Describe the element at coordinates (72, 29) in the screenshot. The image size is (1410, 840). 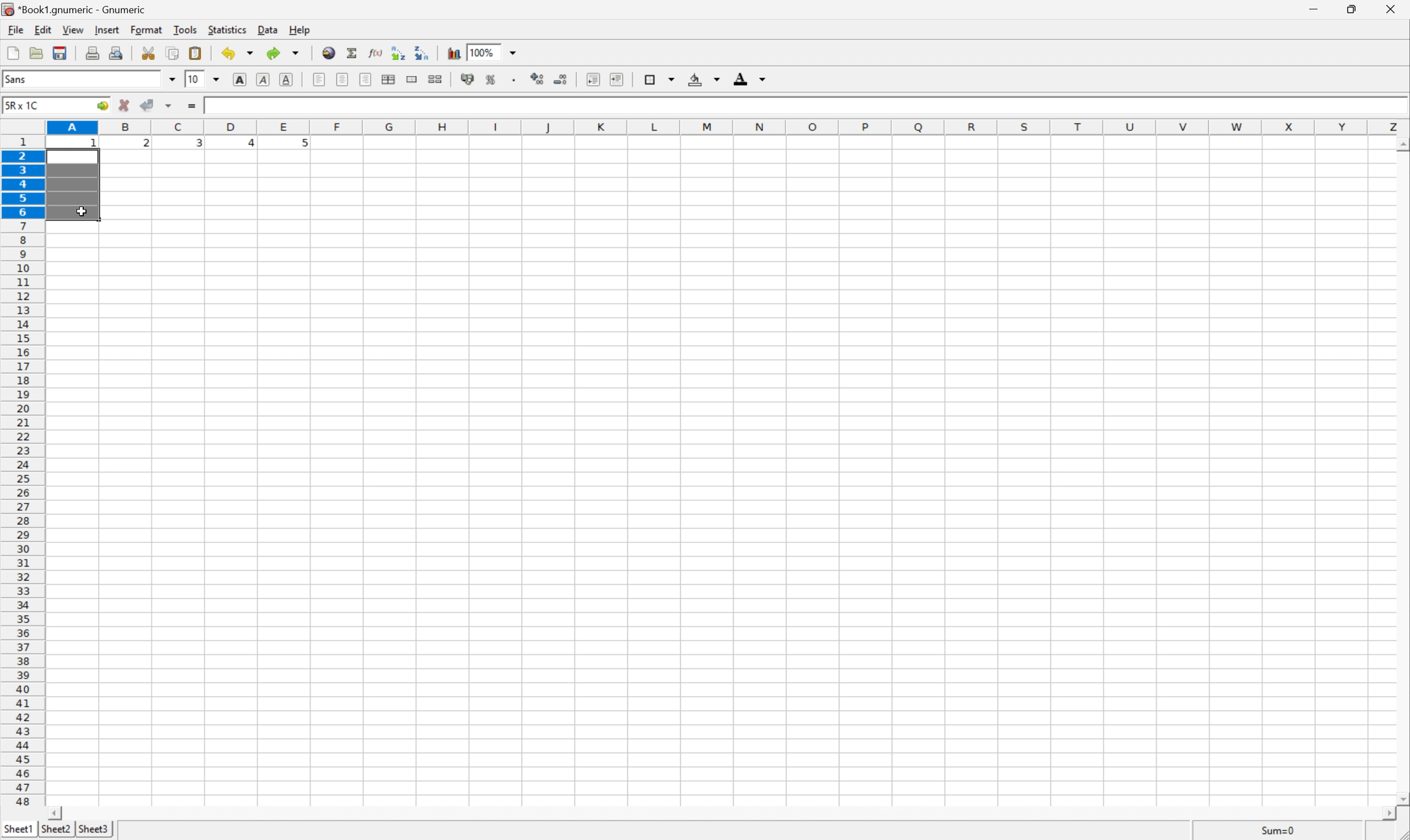
I see `view` at that location.